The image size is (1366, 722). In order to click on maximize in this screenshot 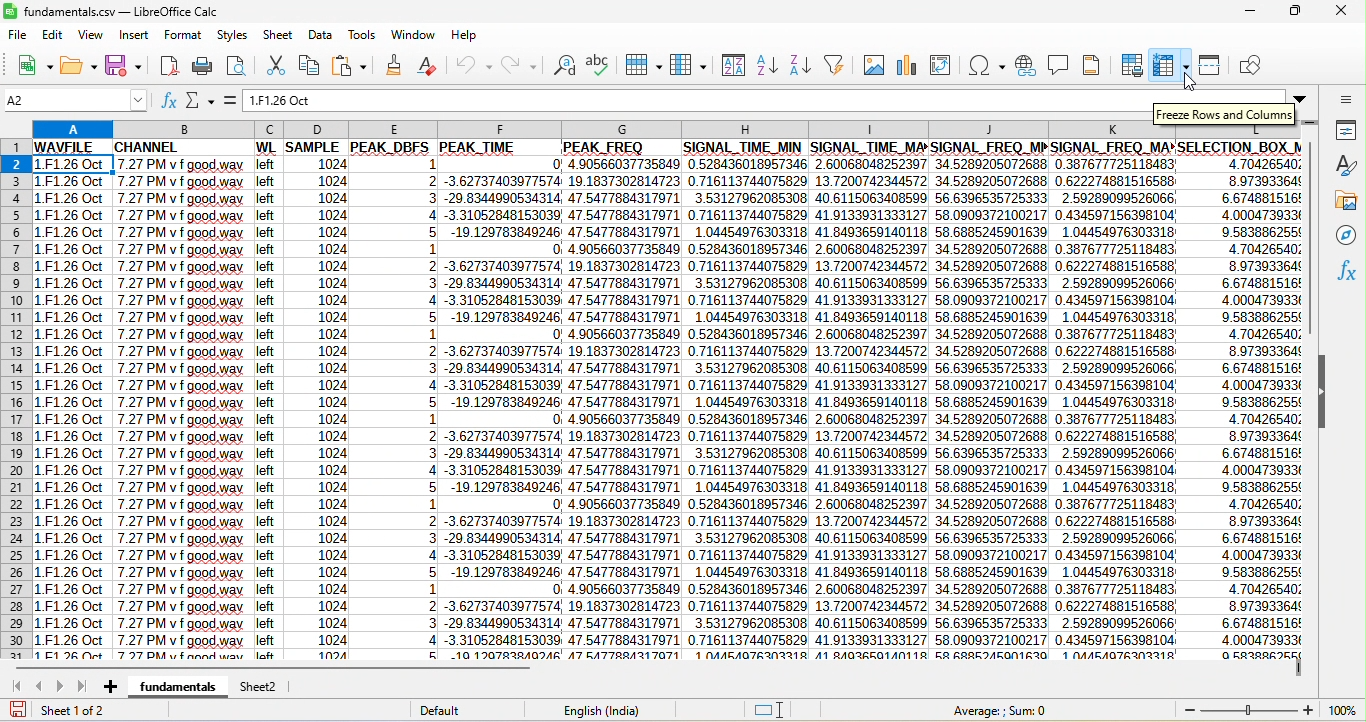, I will do `click(1295, 13)`.